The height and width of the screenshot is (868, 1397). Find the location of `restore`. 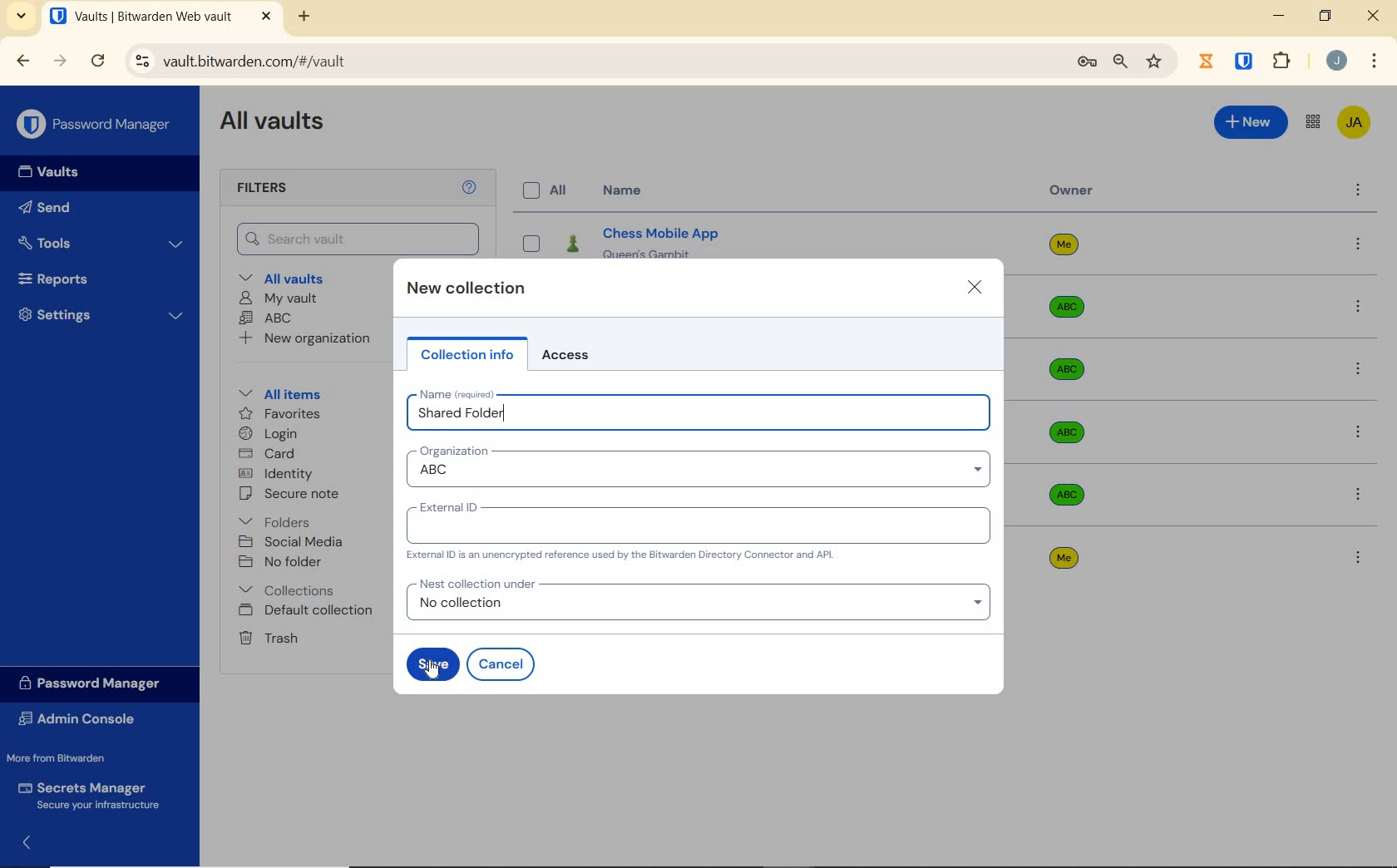

restore is located at coordinates (1325, 16).